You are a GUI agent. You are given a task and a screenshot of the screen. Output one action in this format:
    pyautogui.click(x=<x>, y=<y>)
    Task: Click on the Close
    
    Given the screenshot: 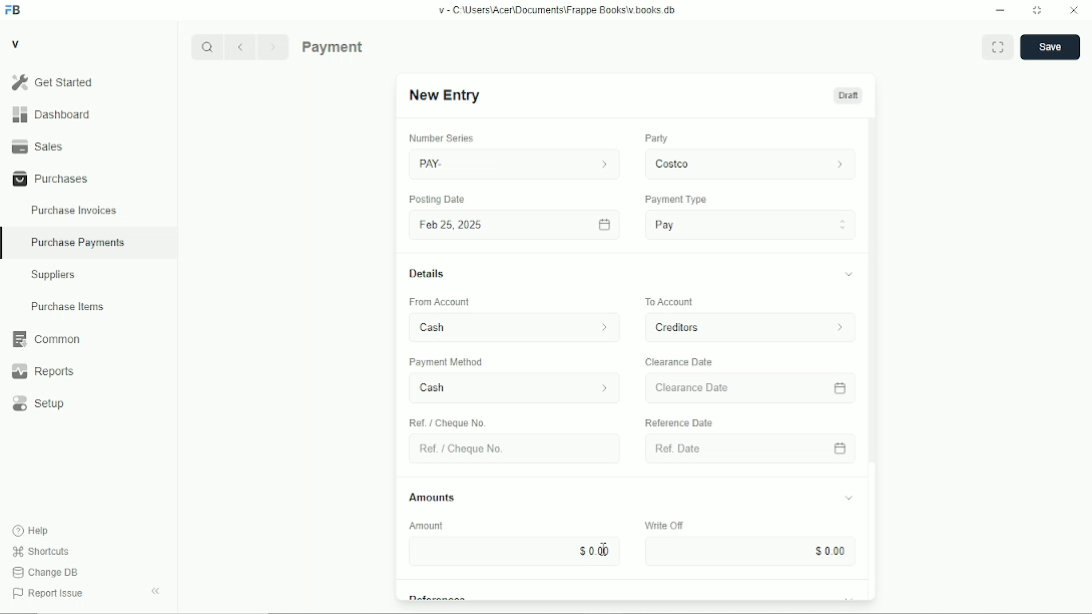 What is the action you would take?
    pyautogui.click(x=1074, y=10)
    